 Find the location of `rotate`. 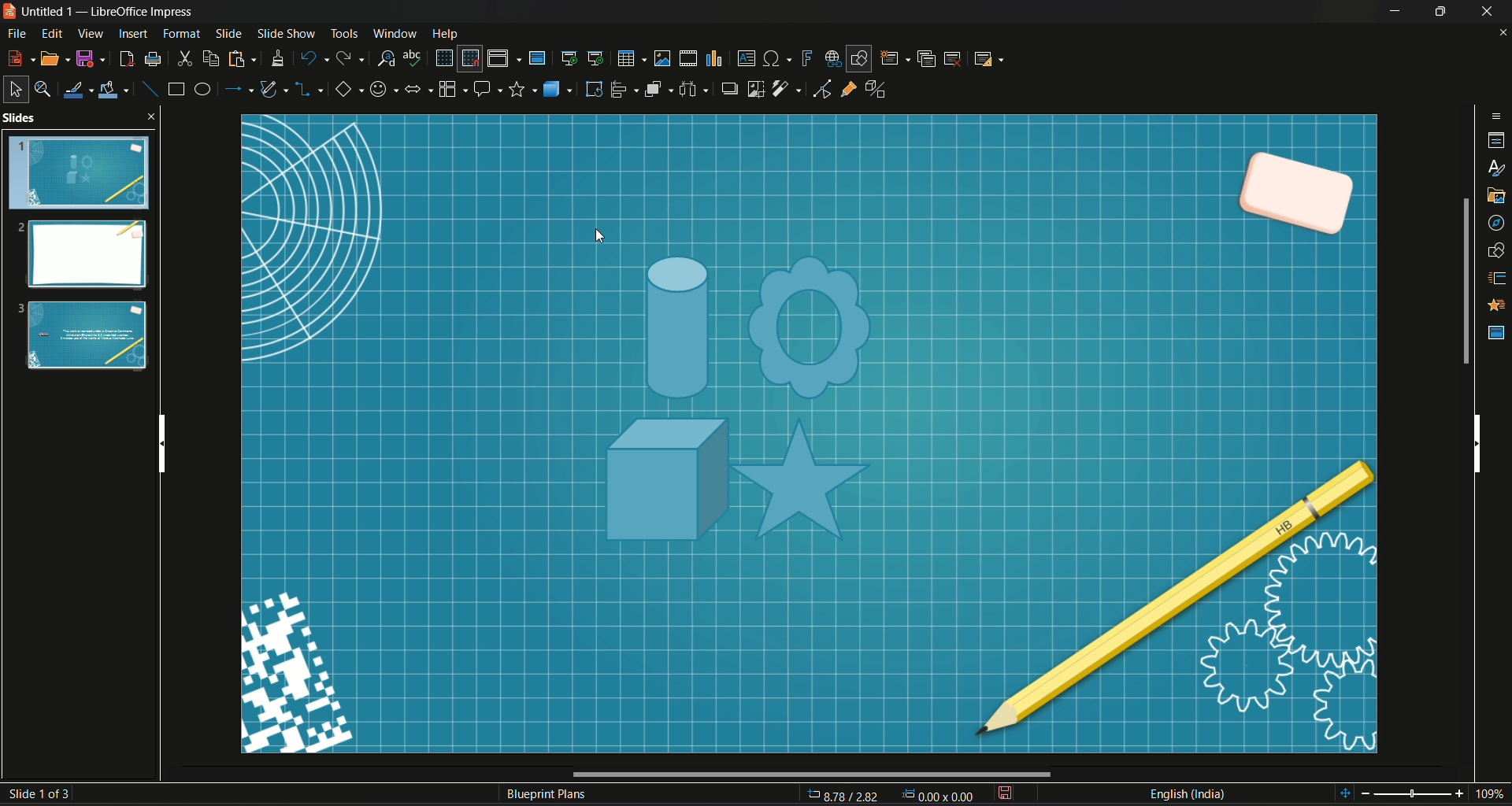

rotate is located at coordinates (594, 89).